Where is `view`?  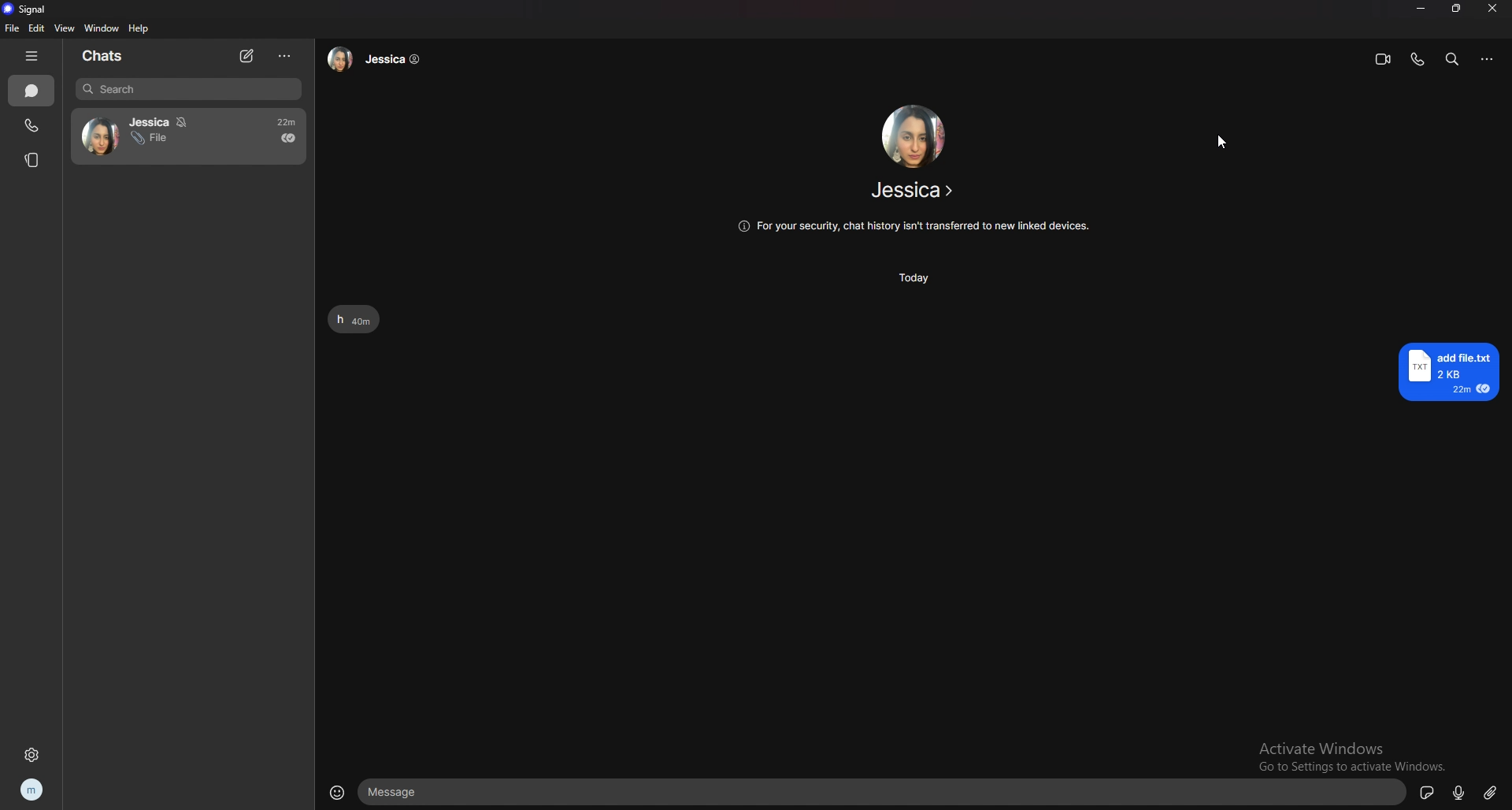 view is located at coordinates (65, 27).